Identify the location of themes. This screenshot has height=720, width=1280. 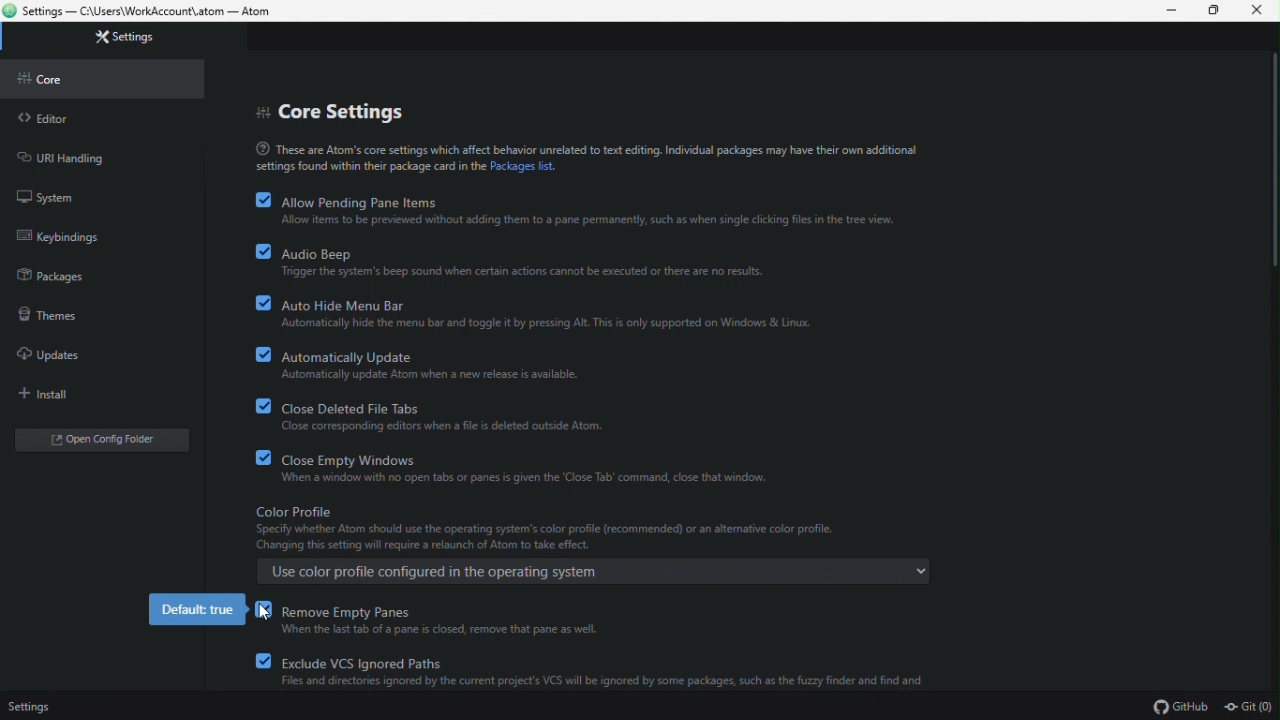
(55, 314).